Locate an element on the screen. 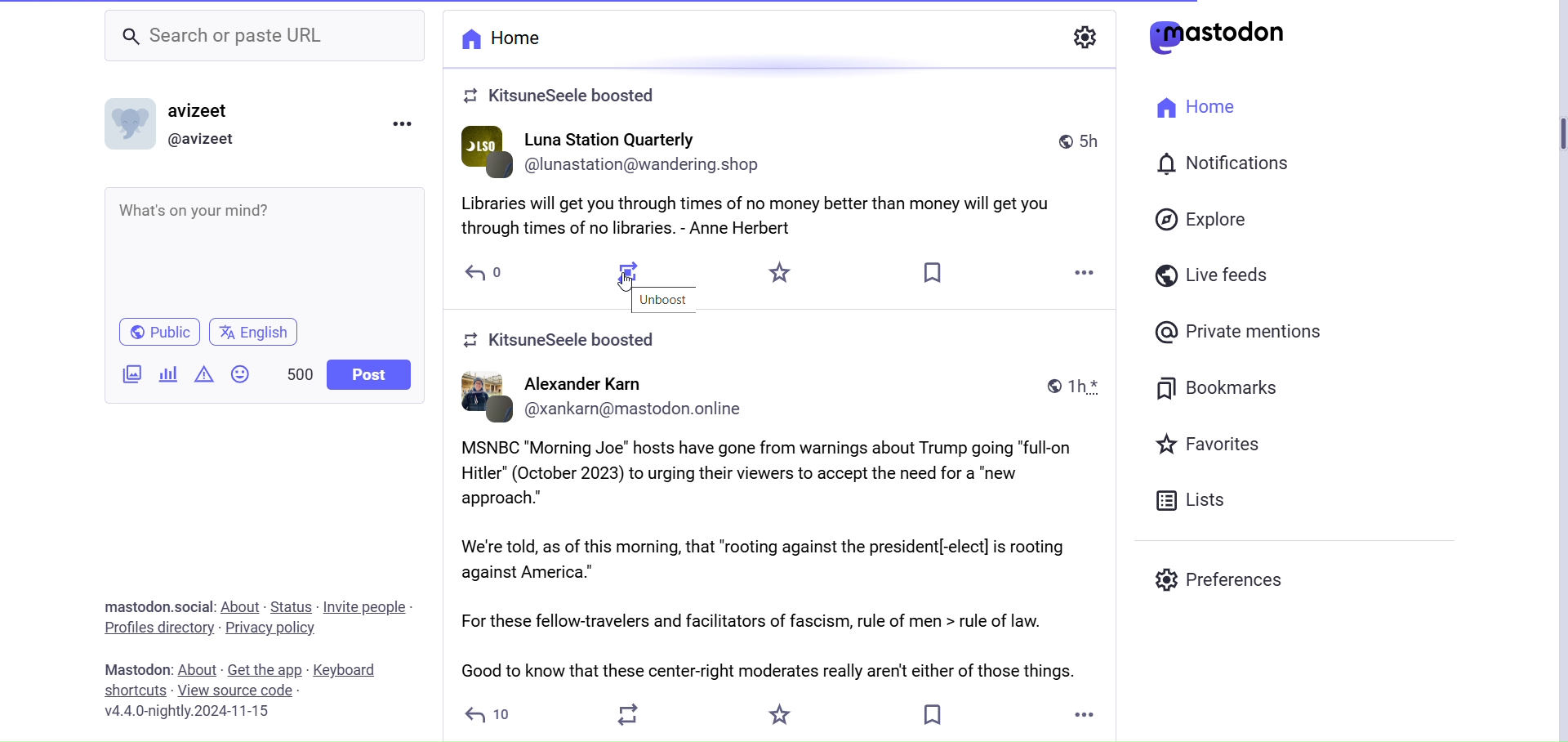 The height and width of the screenshot is (742, 1568). username is located at coordinates (202, 110).